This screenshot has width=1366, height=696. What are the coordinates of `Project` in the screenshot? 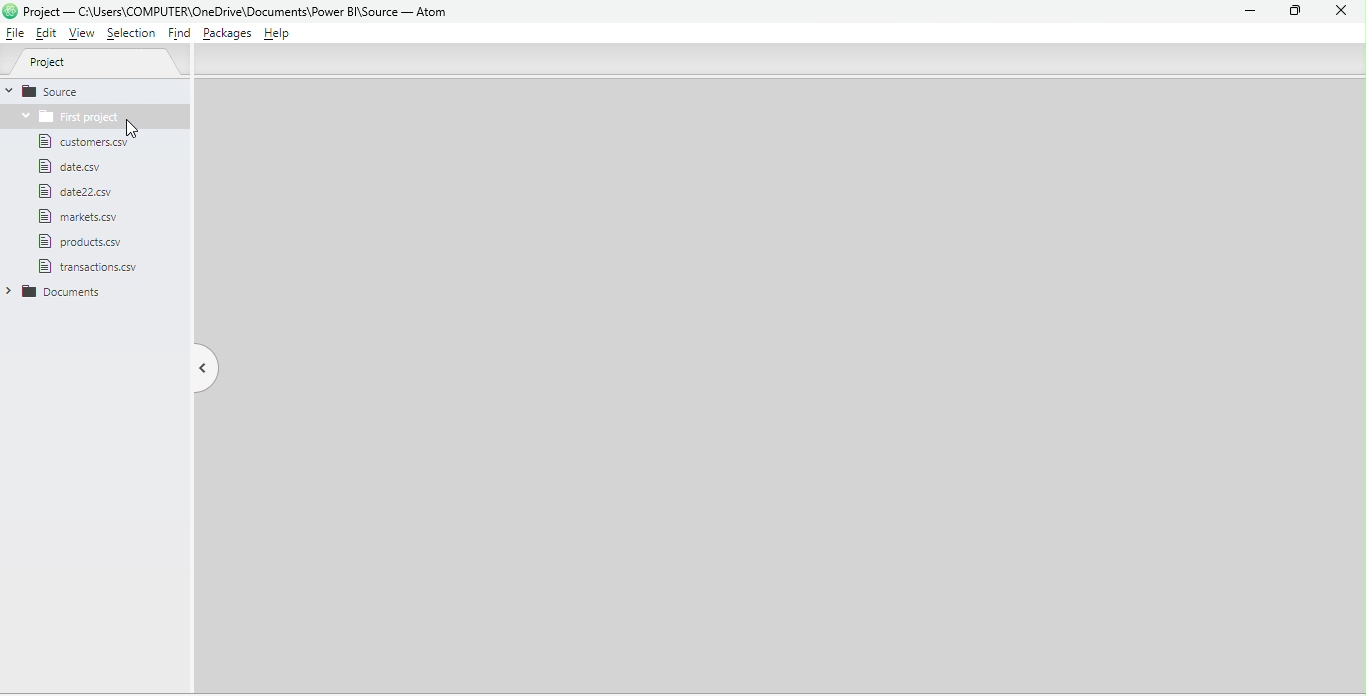 It's located at (102, 64).